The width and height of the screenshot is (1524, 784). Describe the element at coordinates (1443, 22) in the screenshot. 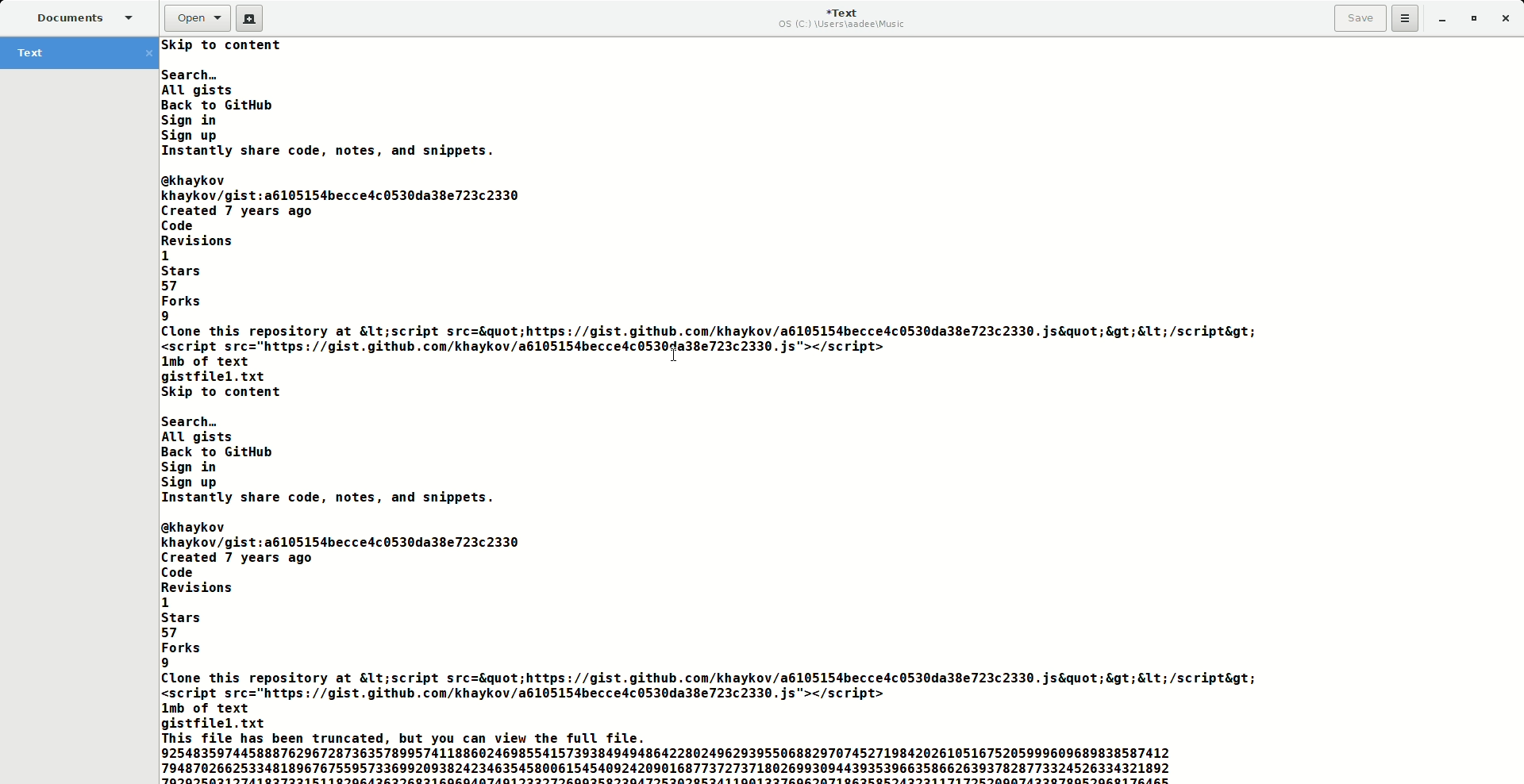

I see `Minimize` at that location.